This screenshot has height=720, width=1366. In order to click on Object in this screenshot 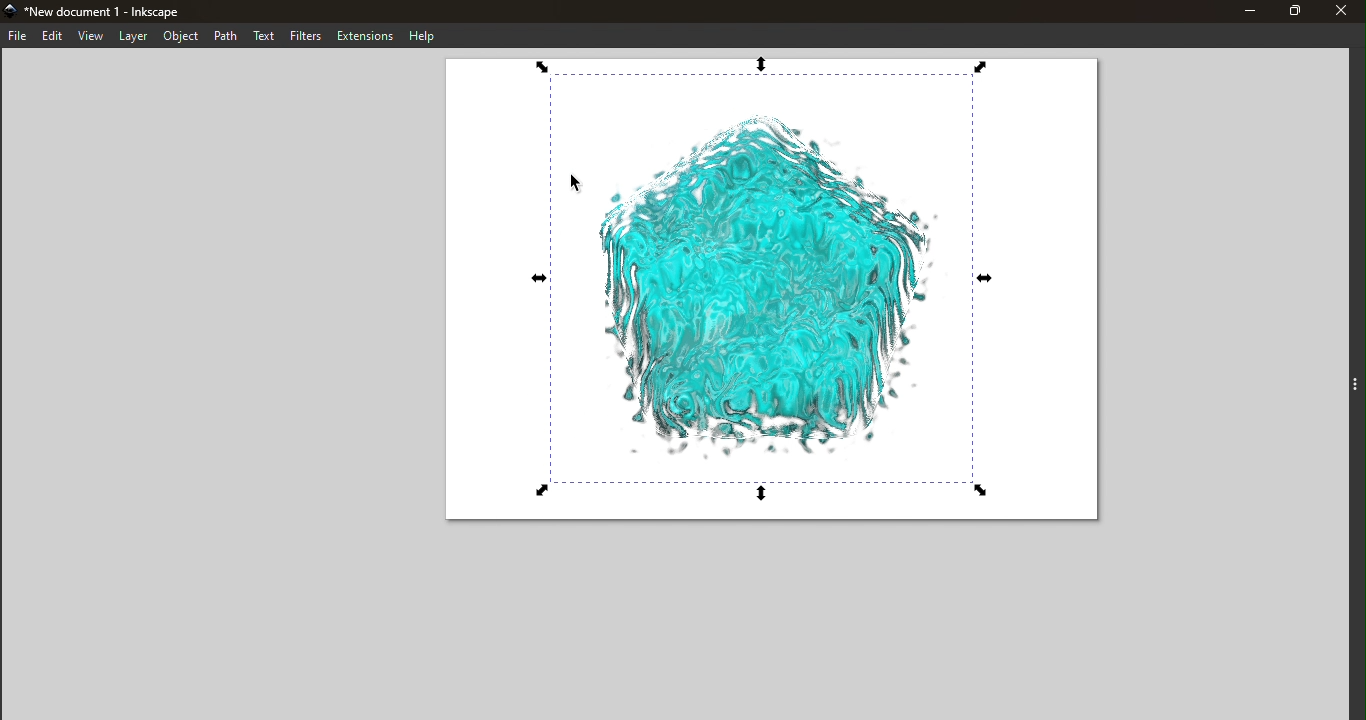, I will do `click(179, 36)`.